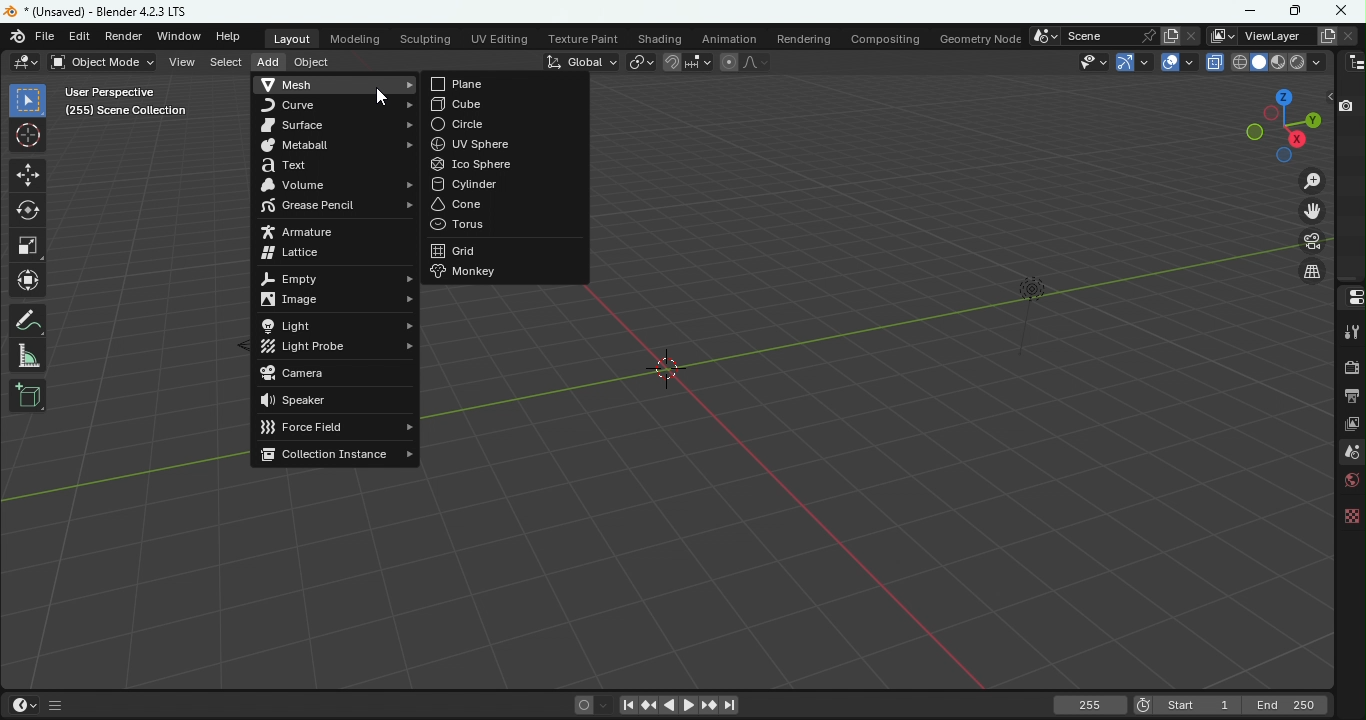 The image size is (1366, 720). I want to click on Edit, so click(82, 36).